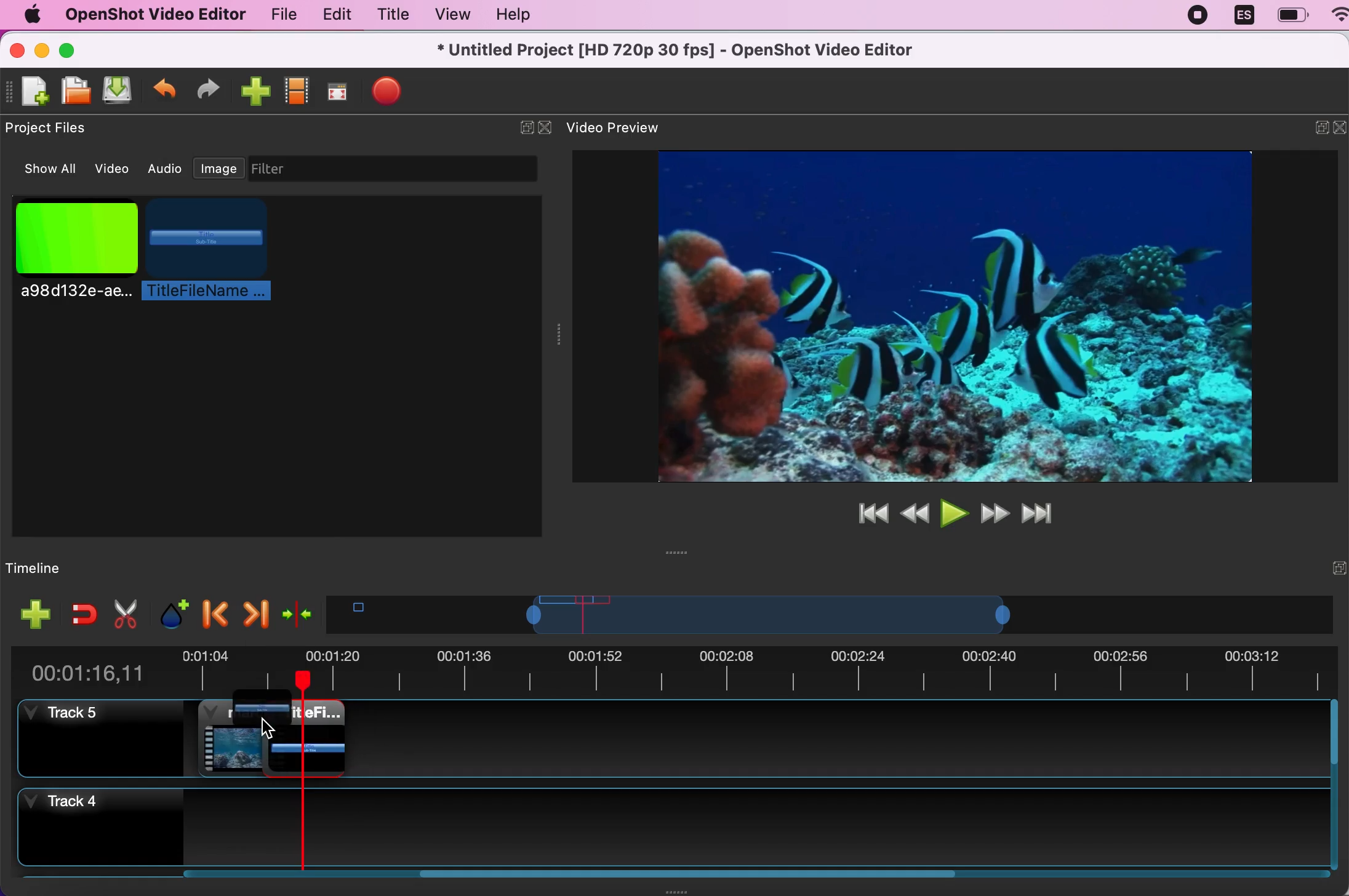  What do you see at coordinates (1292, 15) in the screenshot?
I see `battery` at bounding box center [1292, 15].